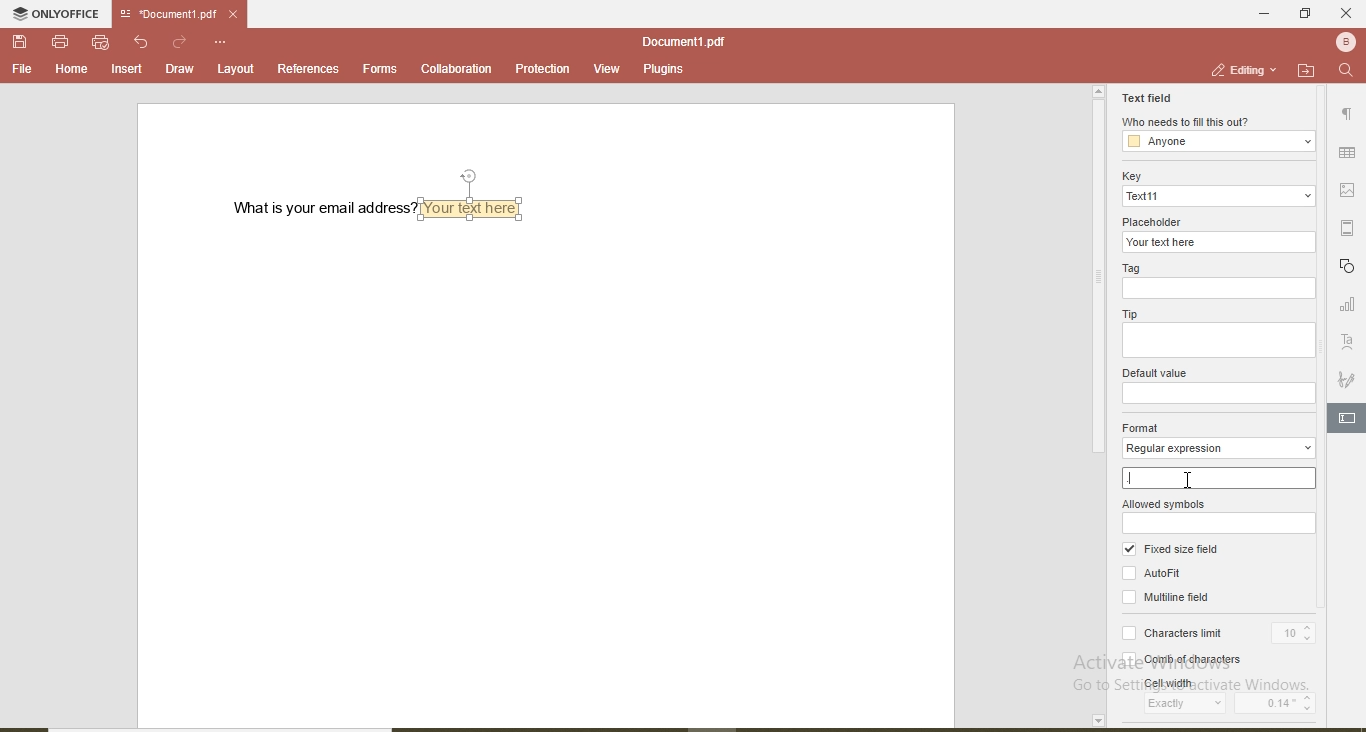  I want to click on graph, so click(1347, 306).